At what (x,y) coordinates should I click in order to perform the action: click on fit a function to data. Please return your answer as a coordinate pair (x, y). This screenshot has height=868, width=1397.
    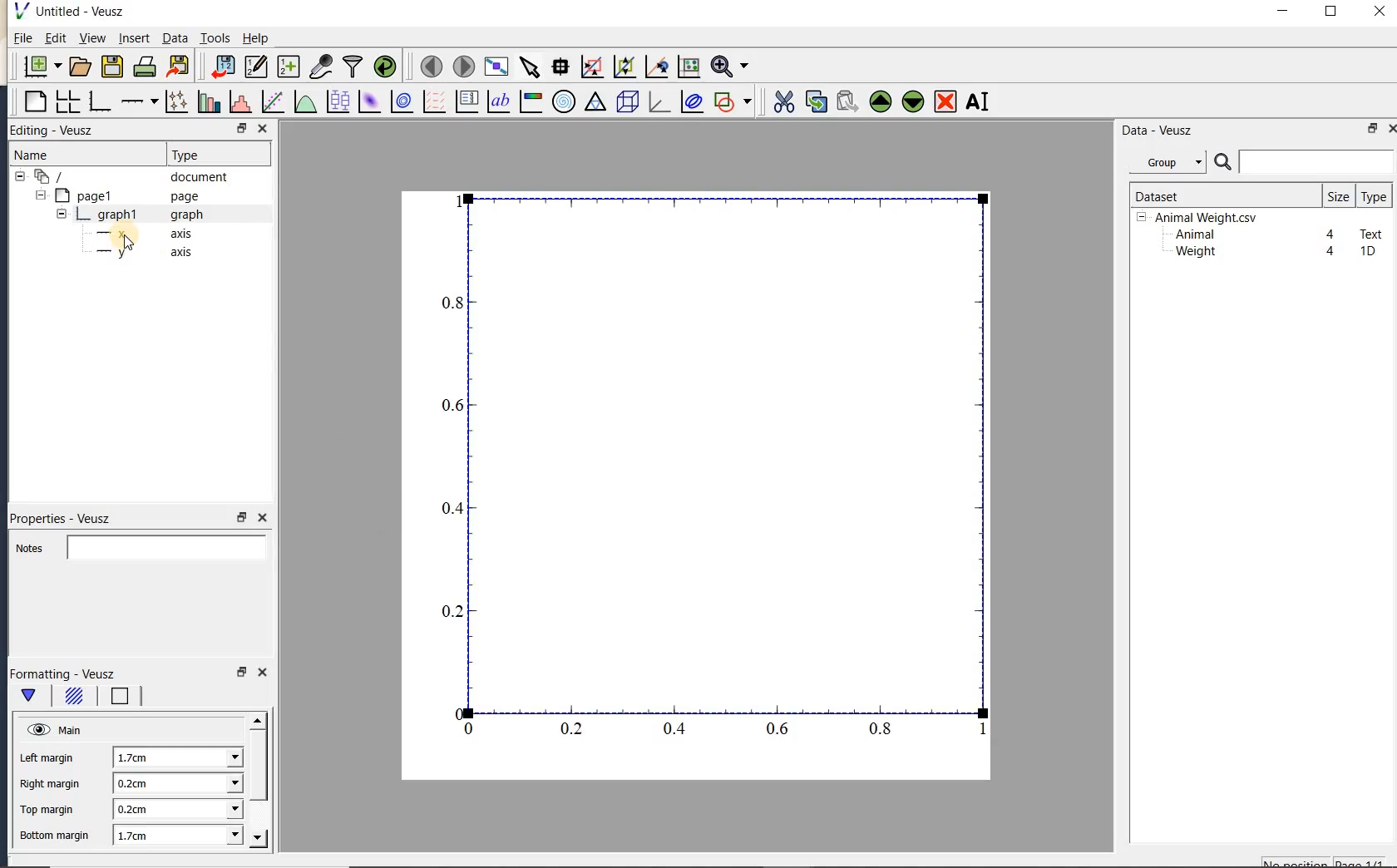
    Looking at the image, I should click on (272, 101).